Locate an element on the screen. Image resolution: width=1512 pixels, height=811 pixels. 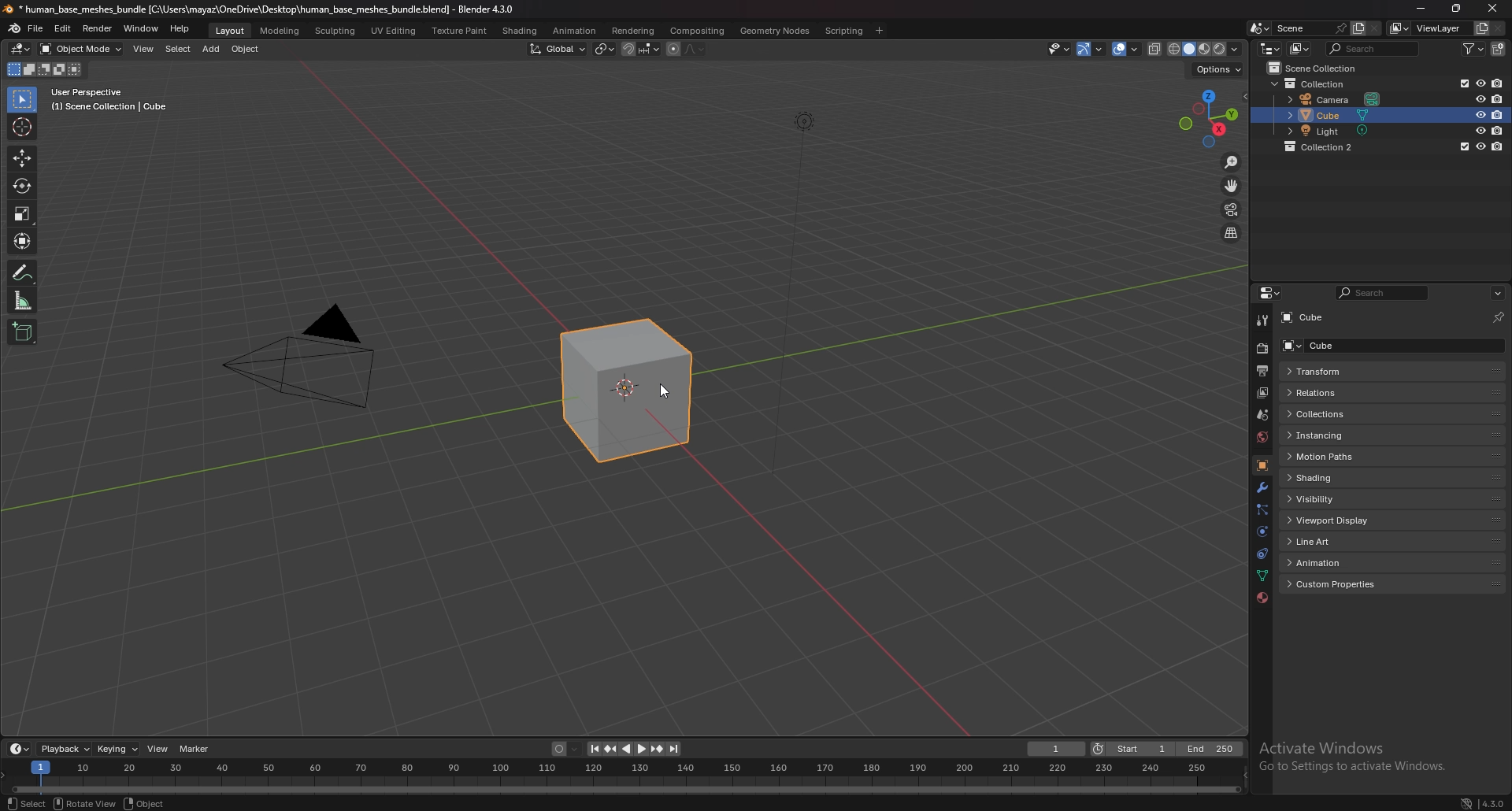
rotate view is located at coordinates (81, 803).